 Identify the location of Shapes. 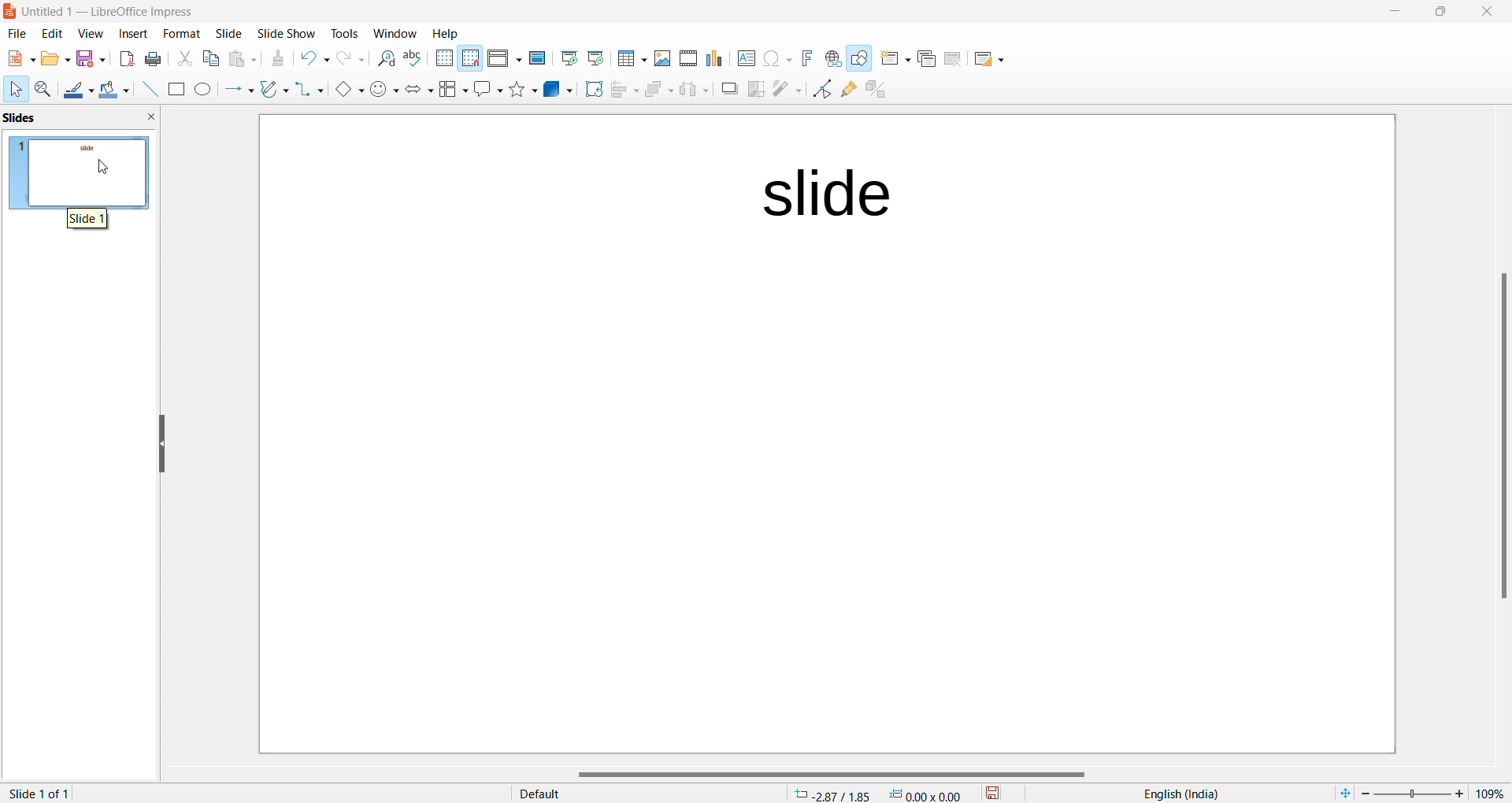
(521, 90).